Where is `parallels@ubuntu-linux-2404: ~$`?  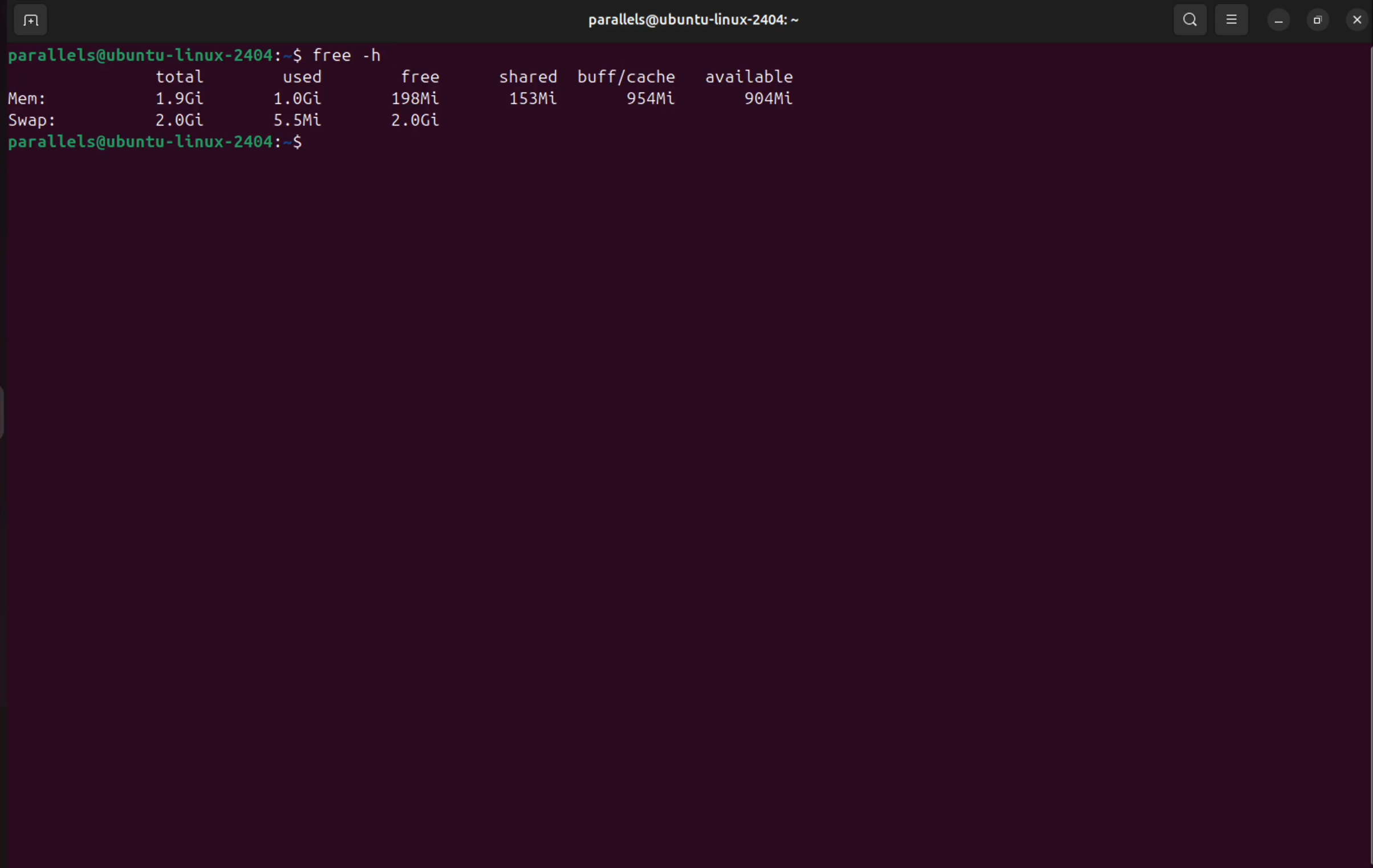 parallels@ubuntu-linux-2404: ~$ is located at coordinates (152, 54).